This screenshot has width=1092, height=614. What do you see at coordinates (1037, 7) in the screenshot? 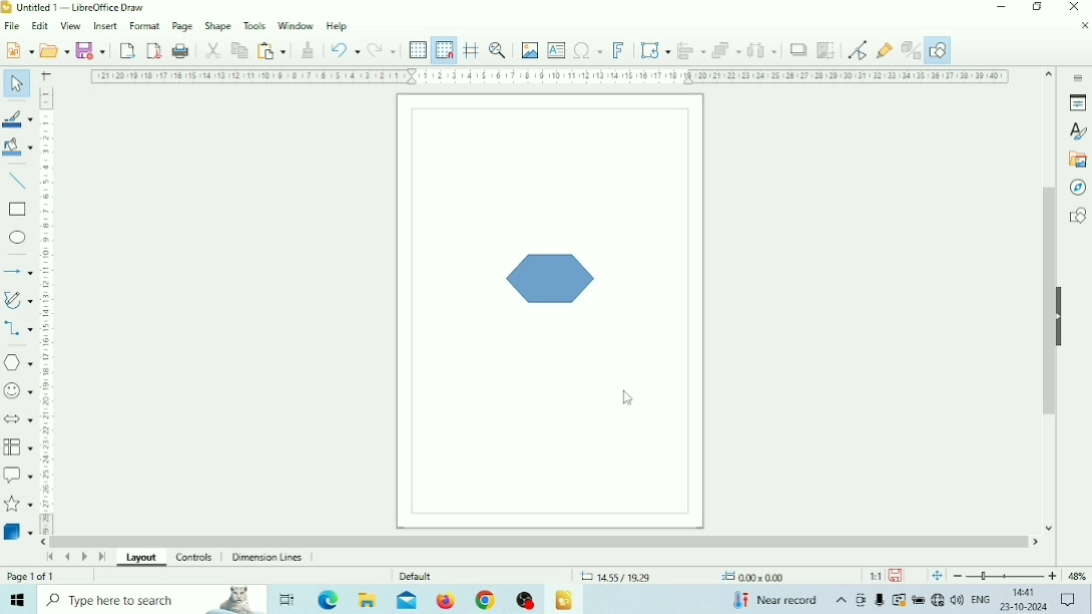
I see `Restore Down` at bounding box center [1037, 7].